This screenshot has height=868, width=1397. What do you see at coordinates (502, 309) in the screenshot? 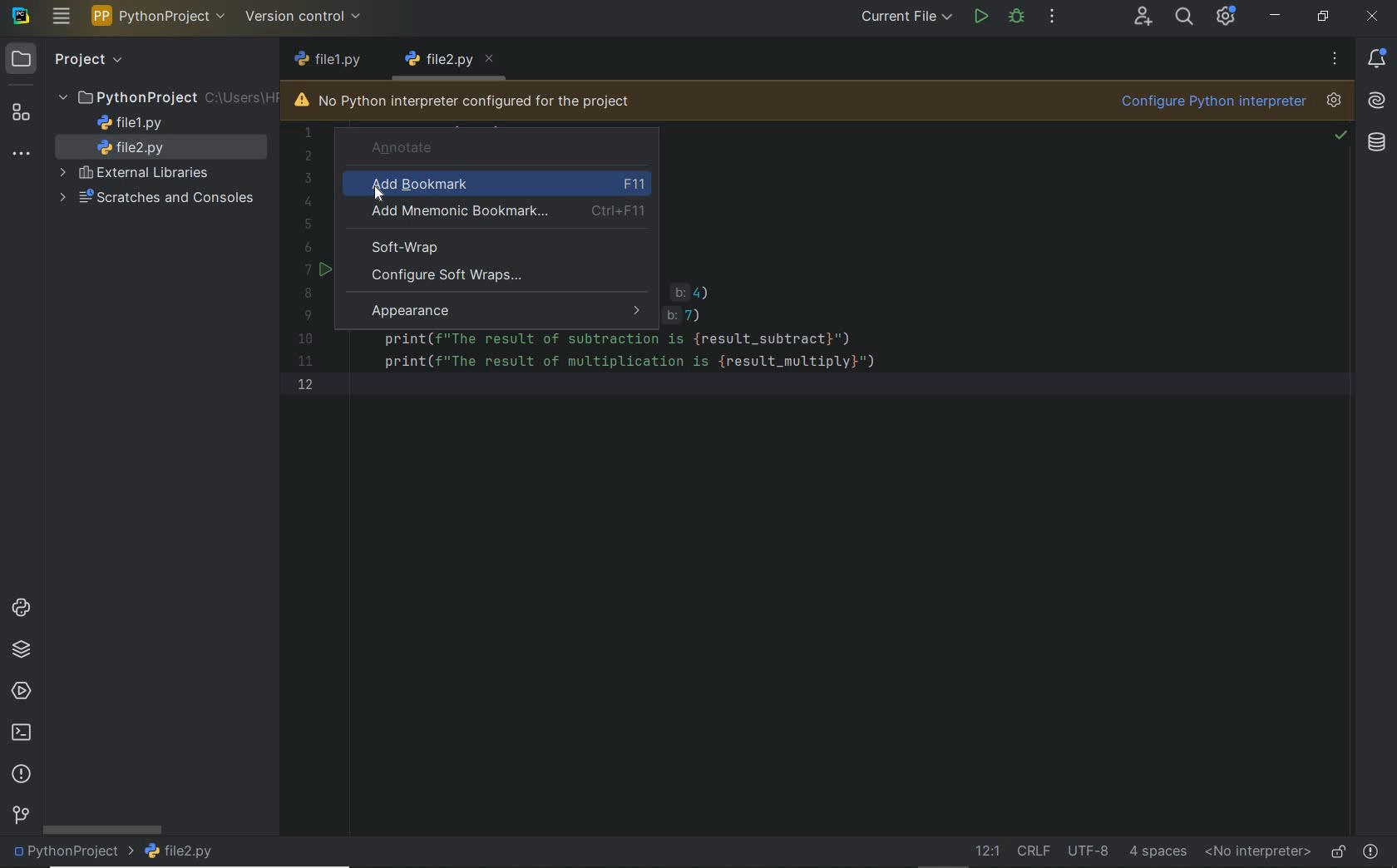
I see `appearance` at bounding box center [502, 309].